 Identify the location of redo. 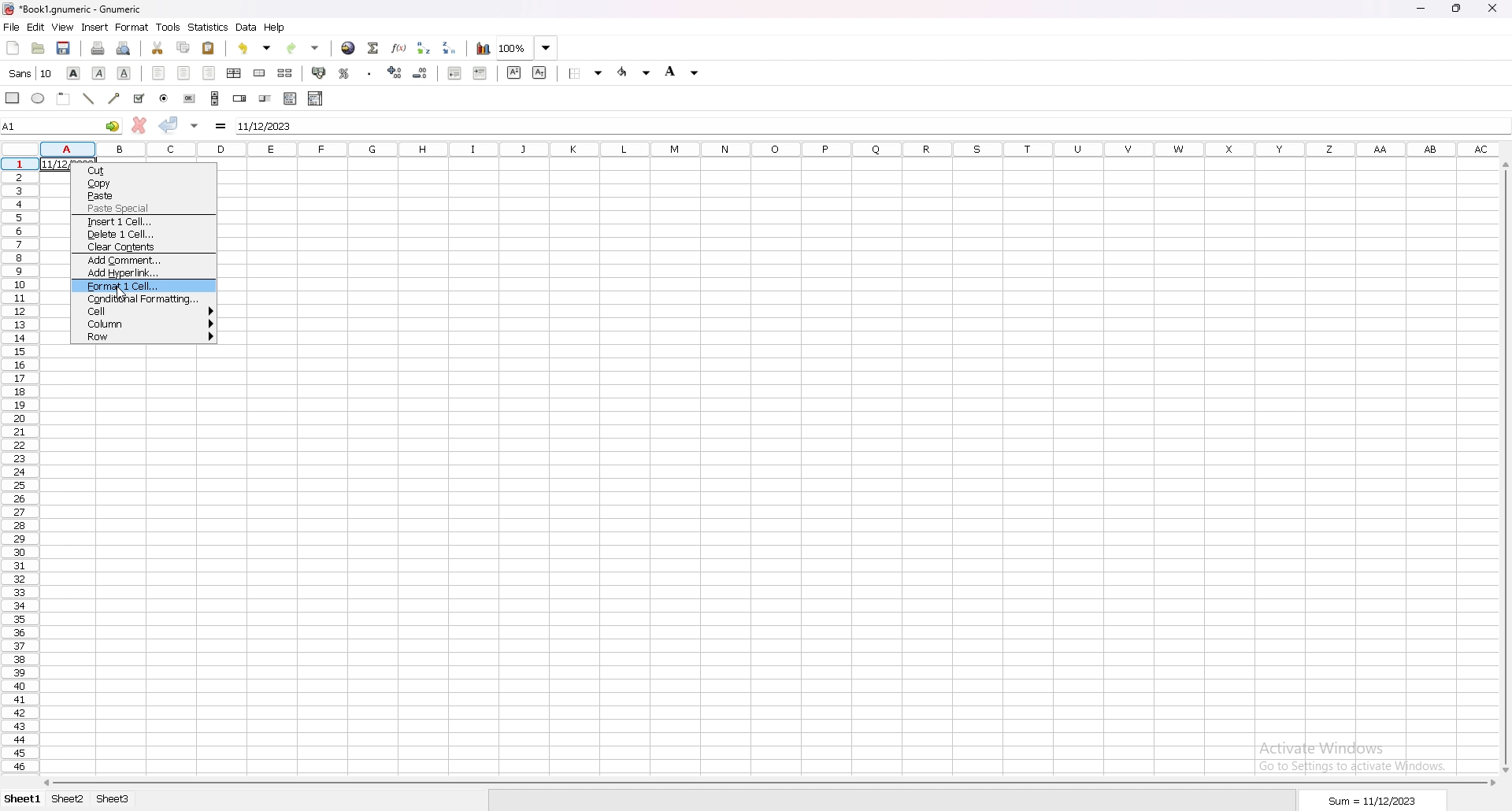
(303, 48).